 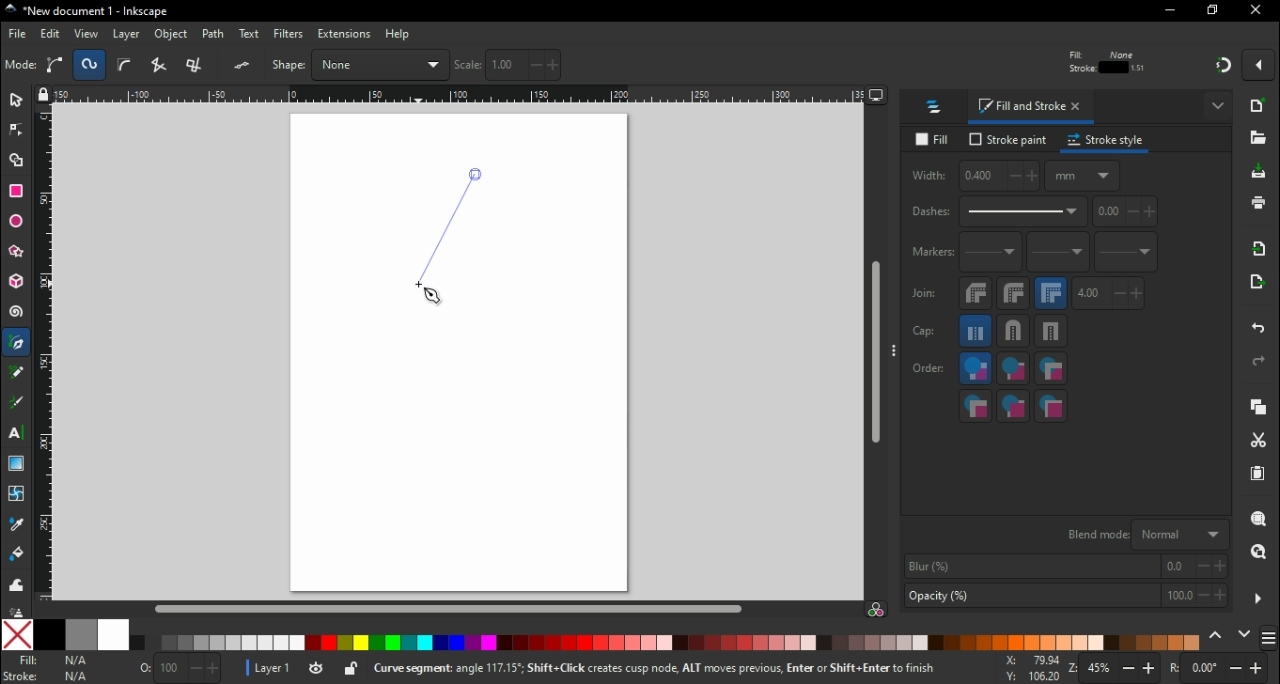 What do you see at coordinates (17, 257) in the screenshot?
I see `star/polygon tool` at bounding box center [17, 257].